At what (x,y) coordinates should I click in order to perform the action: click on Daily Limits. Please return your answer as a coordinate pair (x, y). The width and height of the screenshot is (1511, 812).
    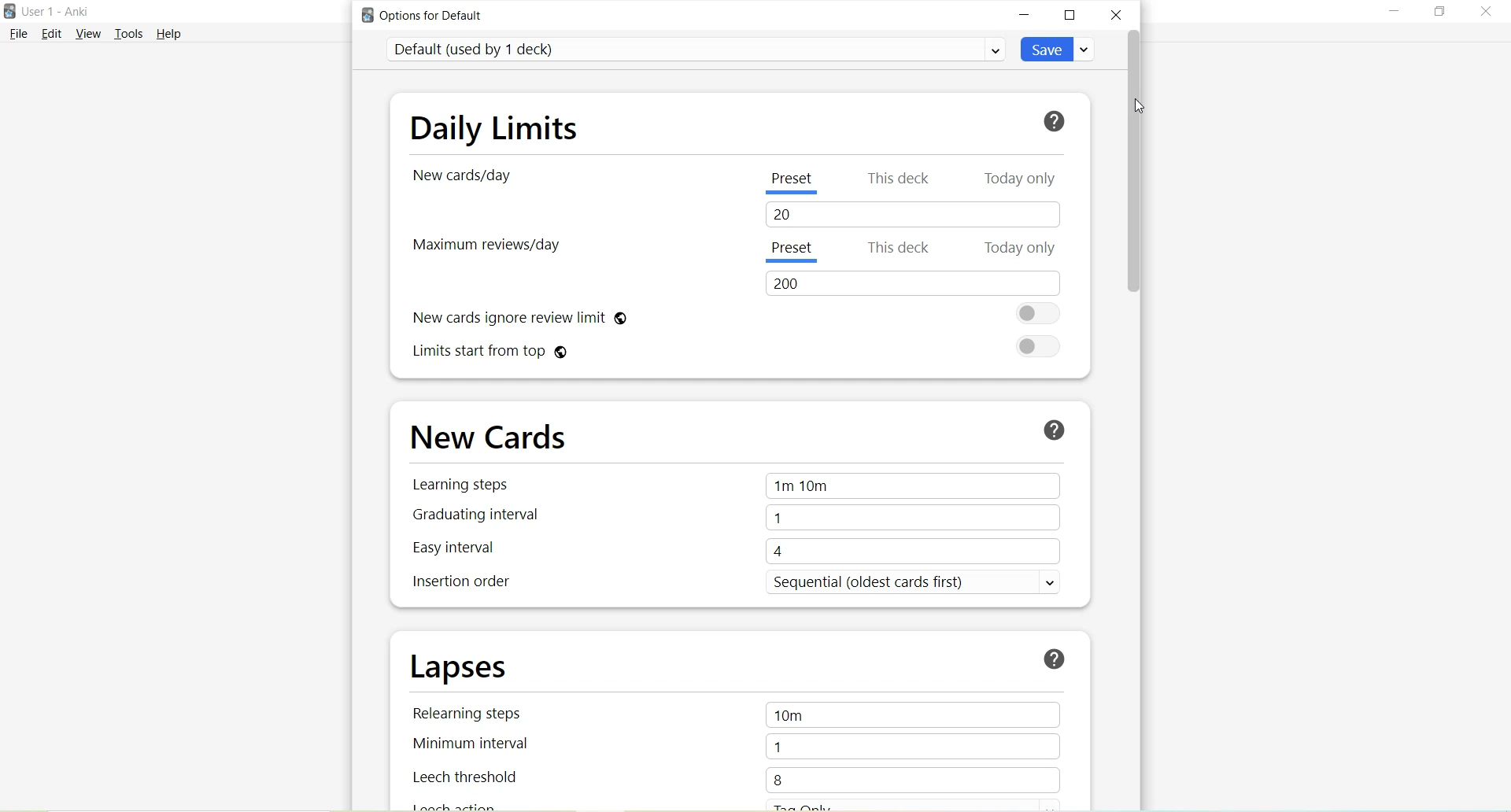
    Looking at the image, I should click on (494, 127).